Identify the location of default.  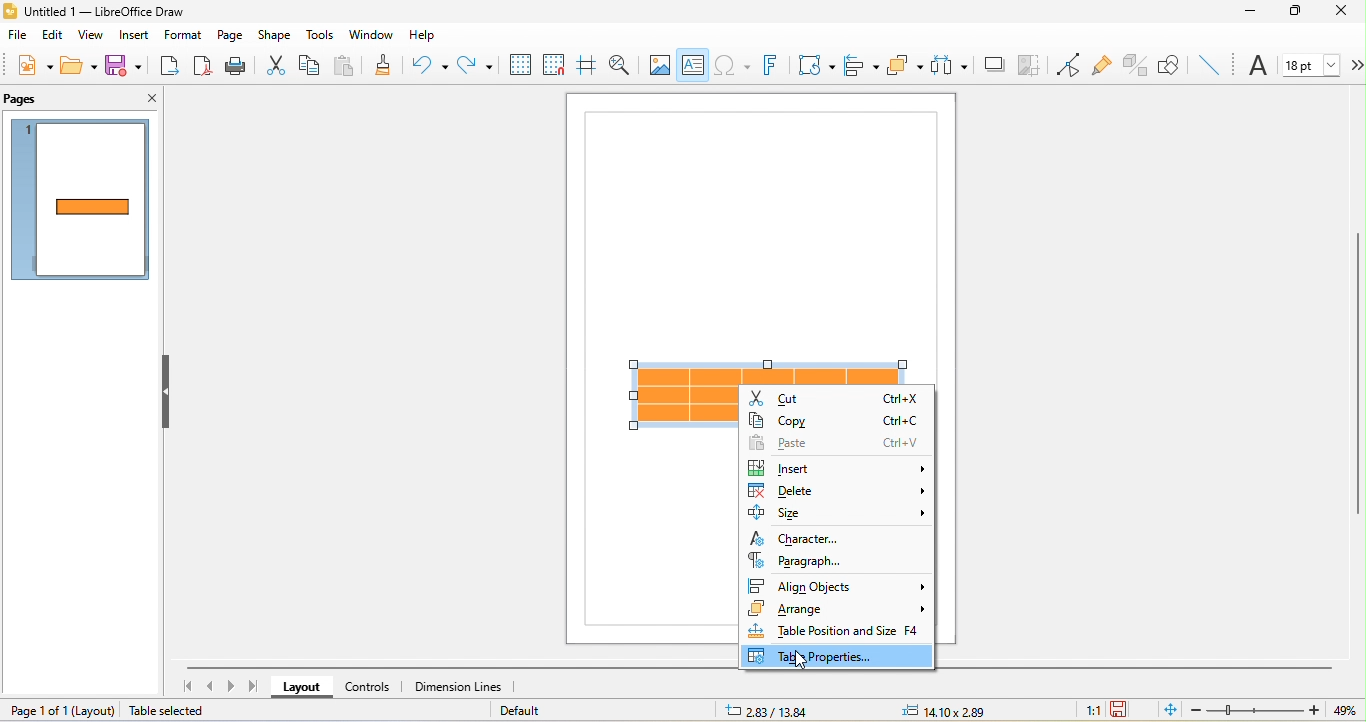
(542, 710).